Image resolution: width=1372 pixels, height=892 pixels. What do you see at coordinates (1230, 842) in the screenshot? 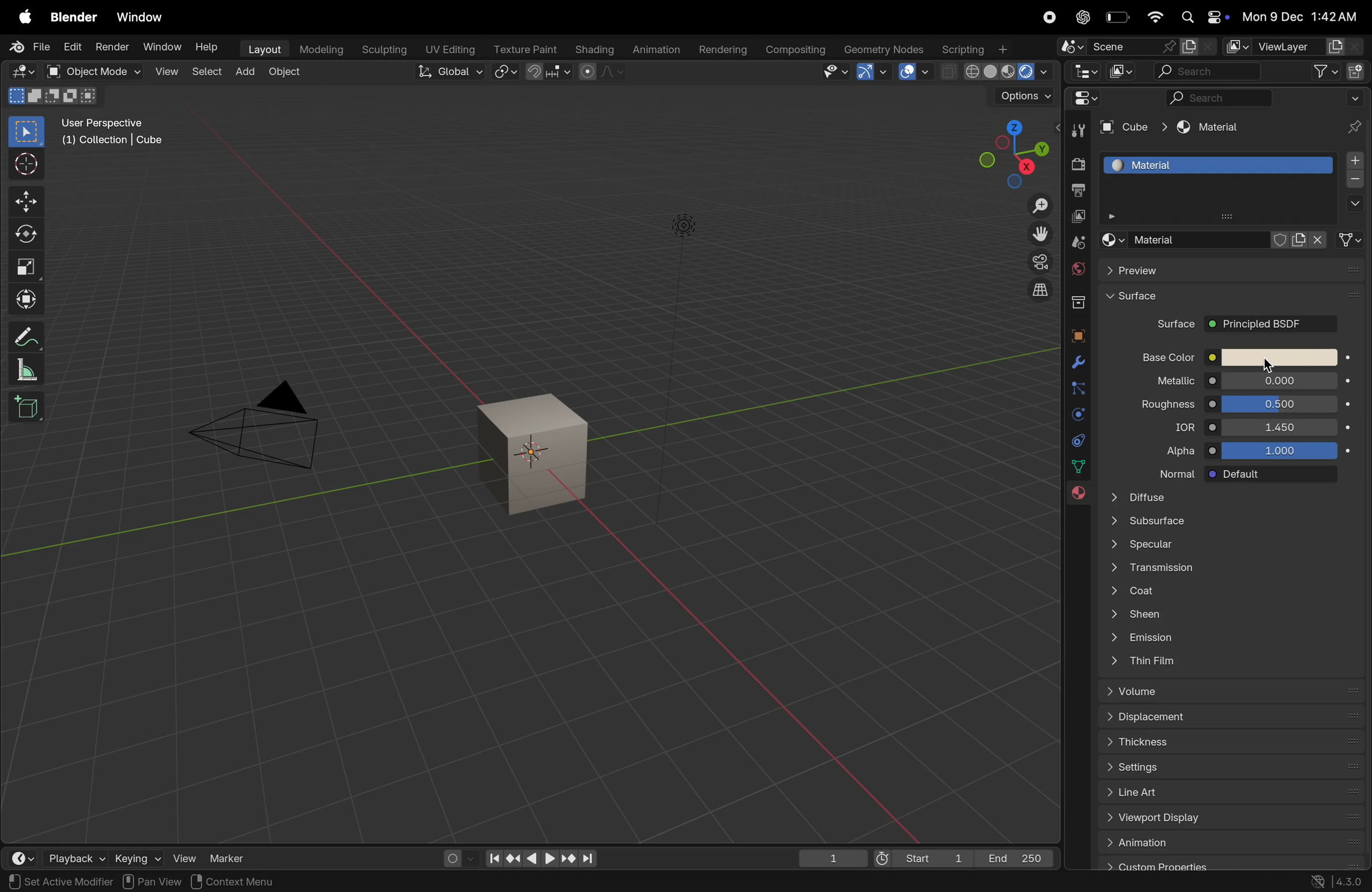
I see `animation` at bounding box center [1230, 842].